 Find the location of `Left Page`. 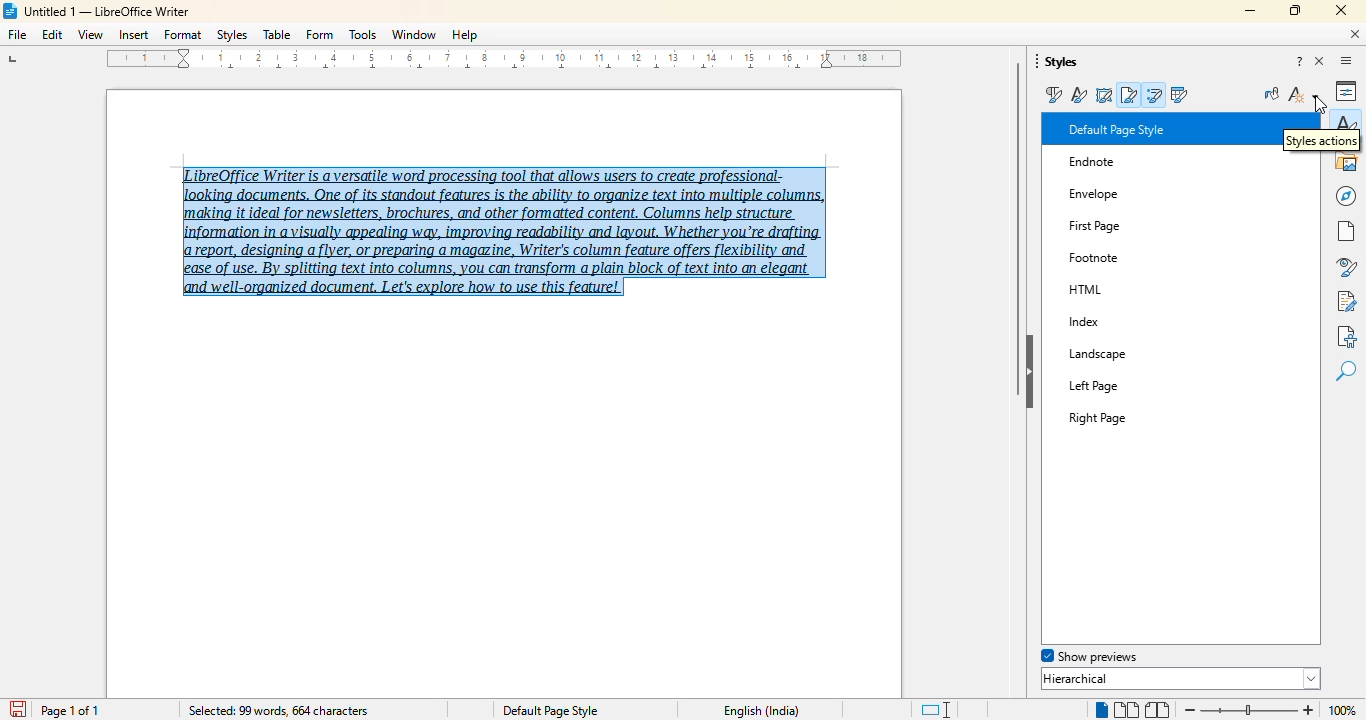

Left Page is located at coordinates (1122, 384).